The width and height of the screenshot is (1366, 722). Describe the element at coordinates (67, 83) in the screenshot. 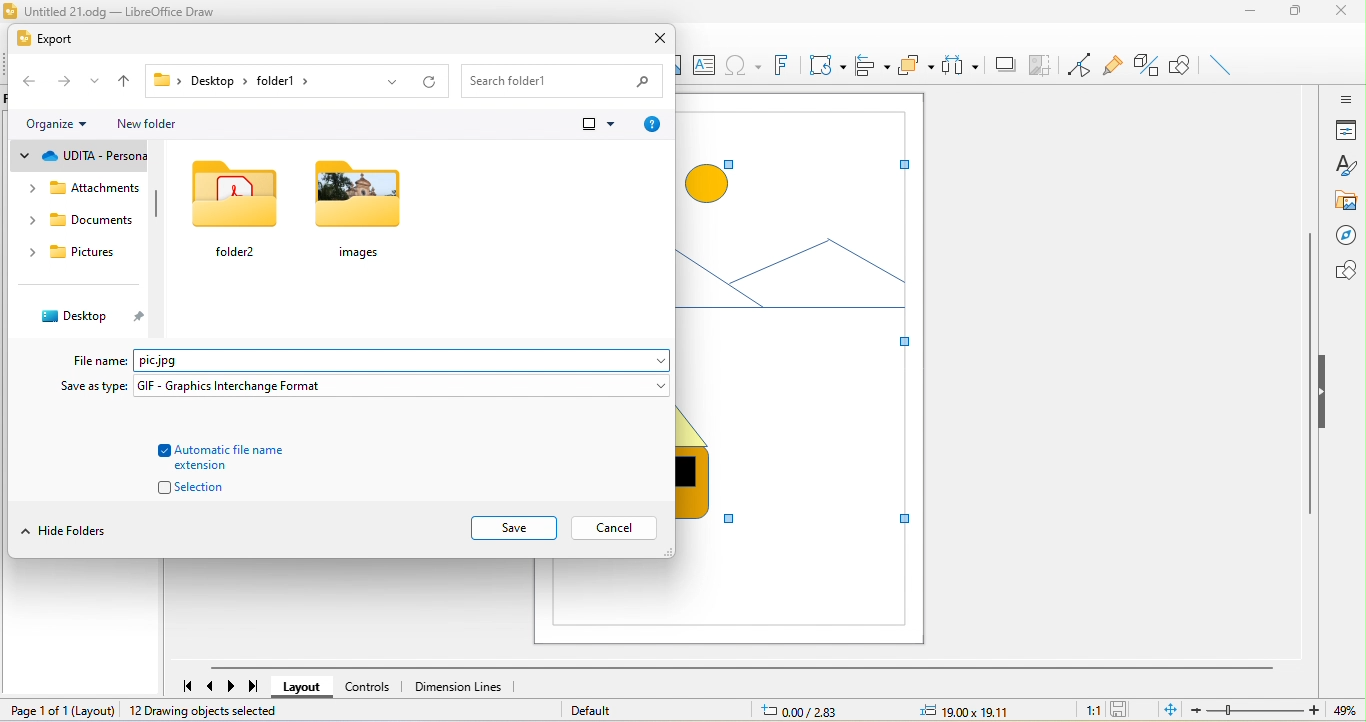

I see `forward` at that location.